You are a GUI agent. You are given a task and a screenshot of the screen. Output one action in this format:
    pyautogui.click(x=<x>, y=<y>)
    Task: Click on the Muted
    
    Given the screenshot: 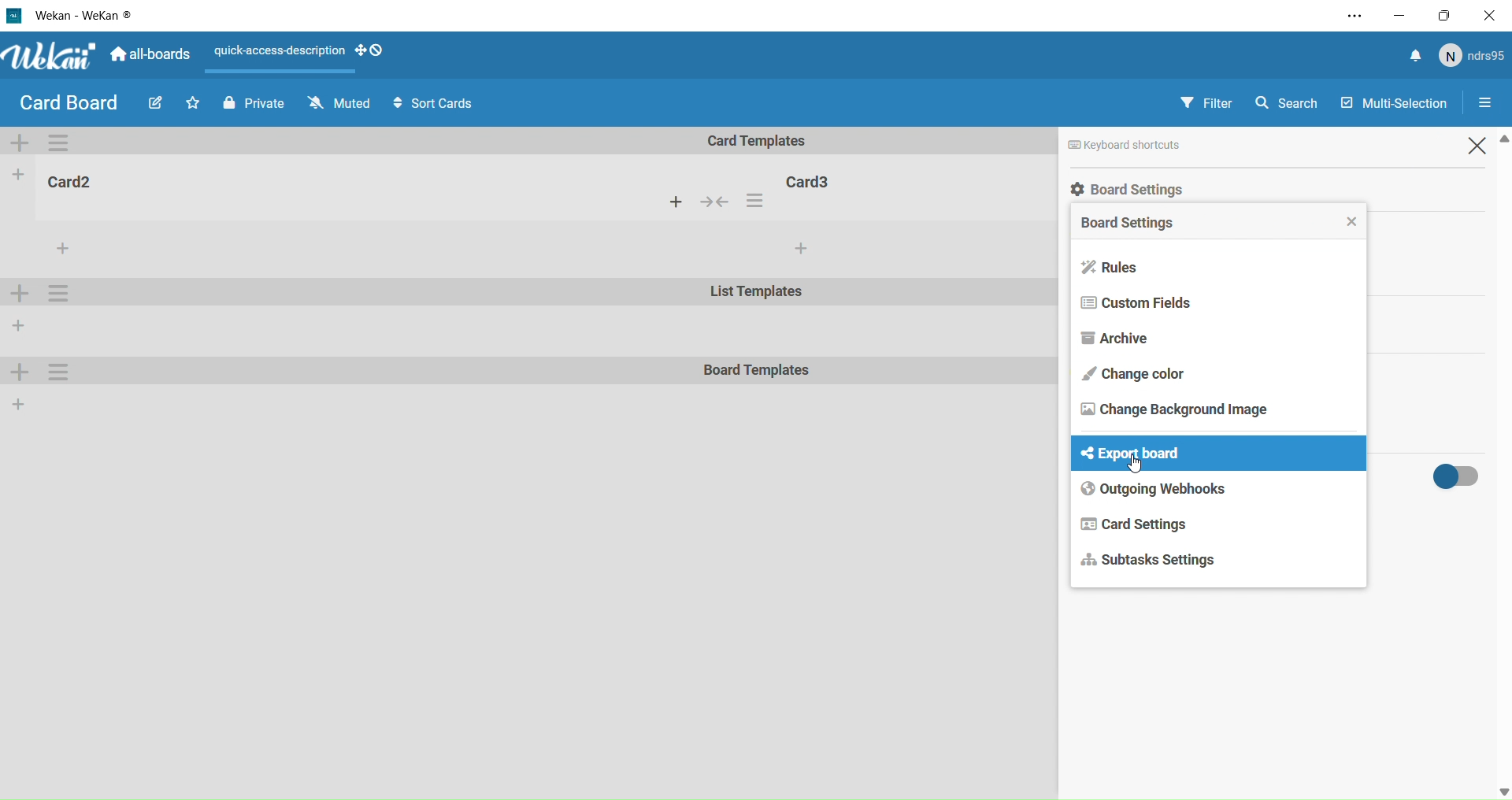 What is the action you would take?
    pyautogui.click(x=337, y=103)
    